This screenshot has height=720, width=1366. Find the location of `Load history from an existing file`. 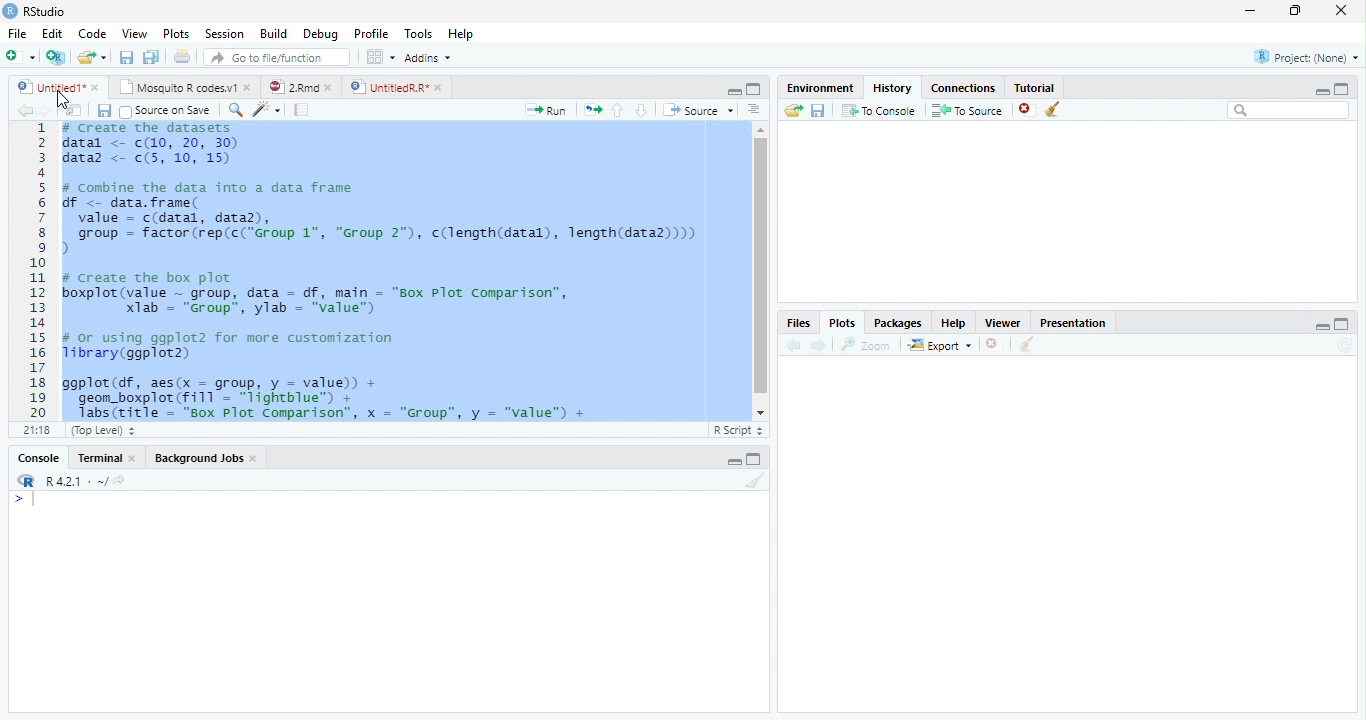

Load history from an existing file is located at coordinates (793, 111).